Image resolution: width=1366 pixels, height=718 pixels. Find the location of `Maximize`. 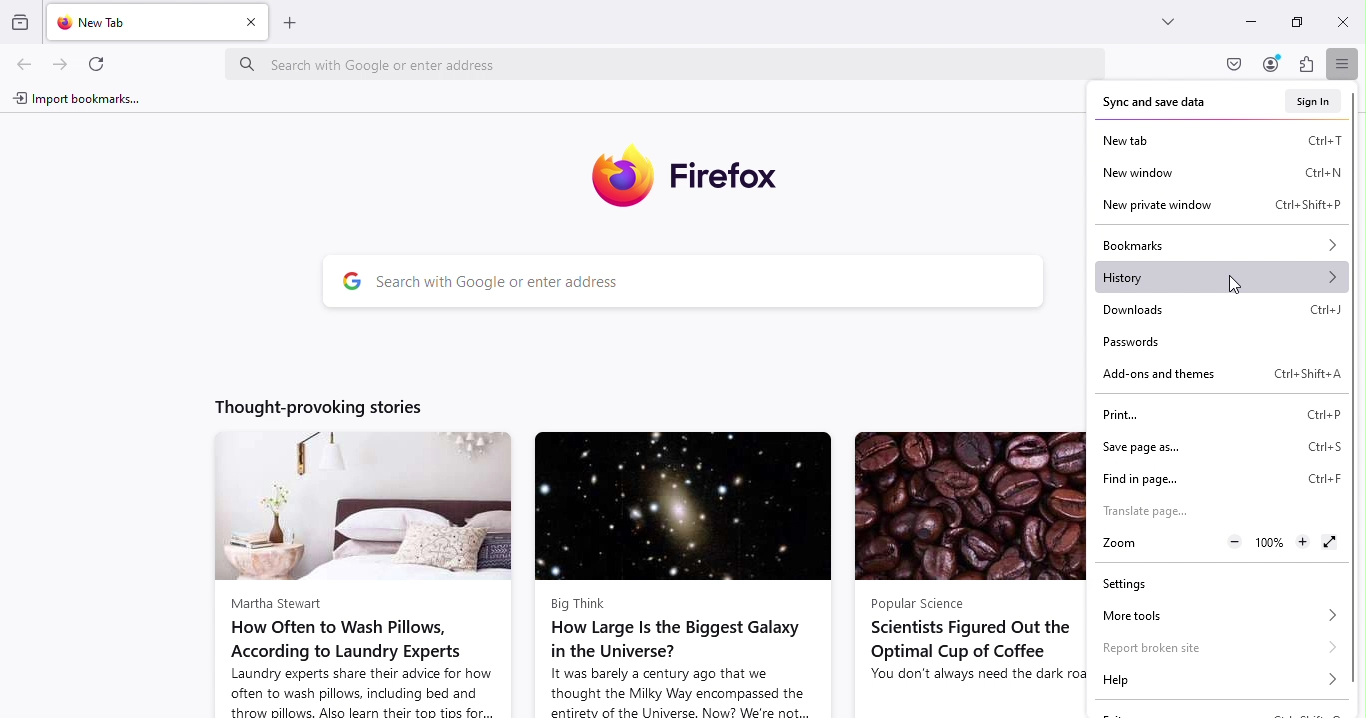

Maximize is located at coordinates (1297, 22).